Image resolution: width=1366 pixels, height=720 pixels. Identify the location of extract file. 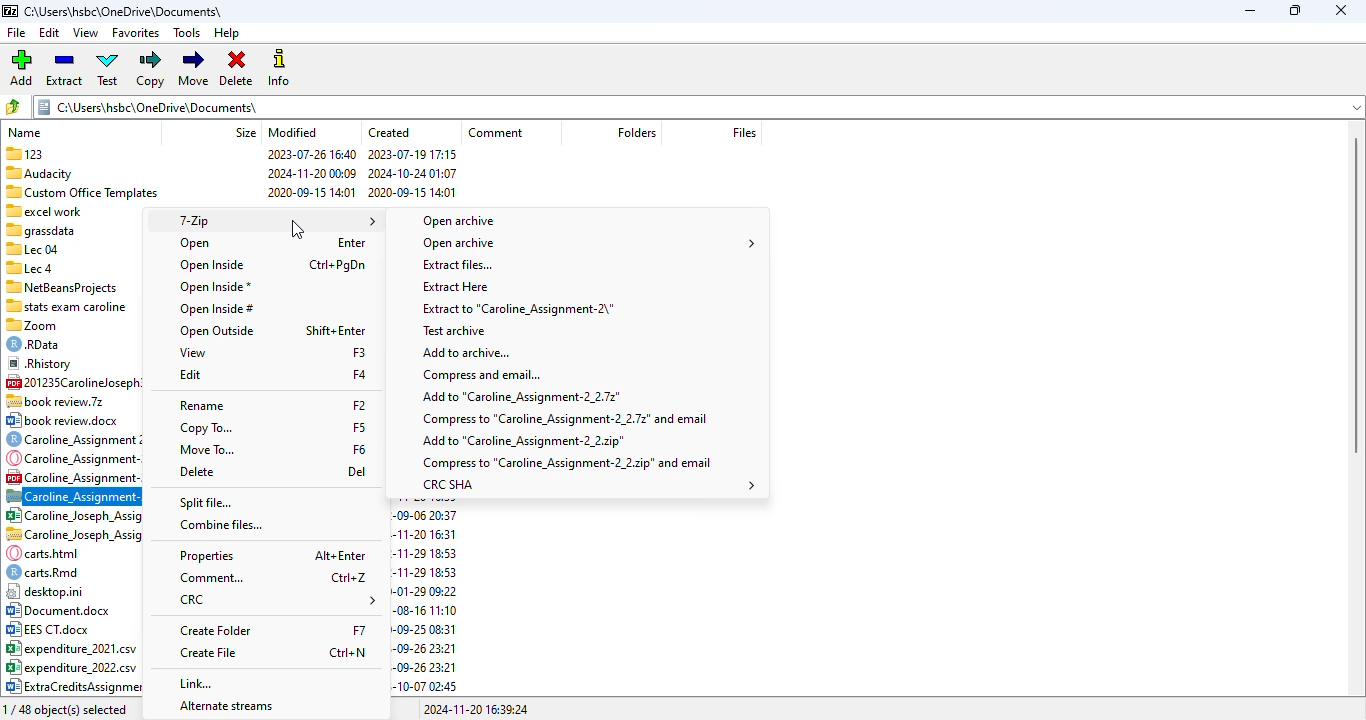
(458, 264).